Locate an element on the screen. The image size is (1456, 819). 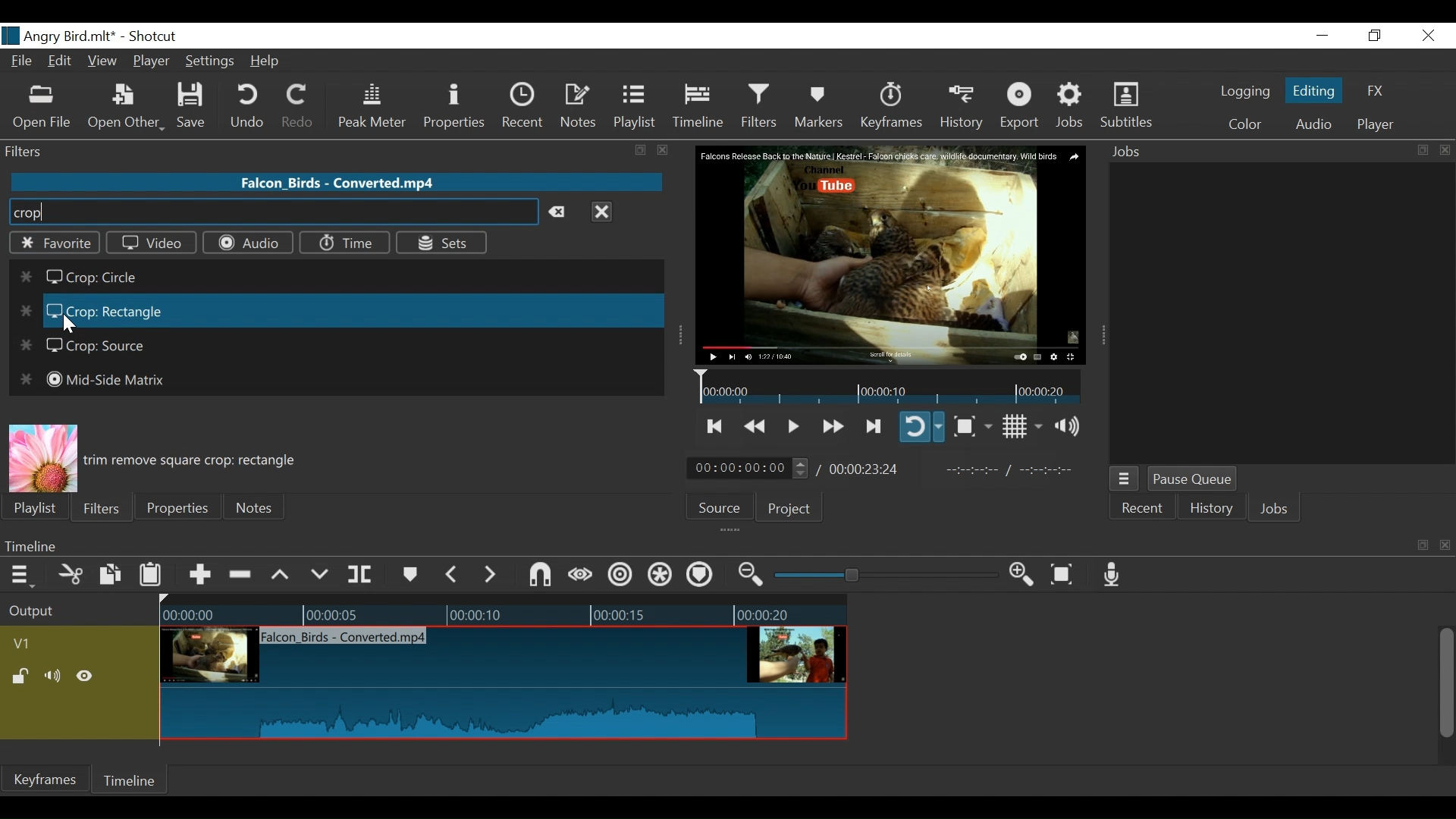
Total Duration is located at coordinates (866, 469).